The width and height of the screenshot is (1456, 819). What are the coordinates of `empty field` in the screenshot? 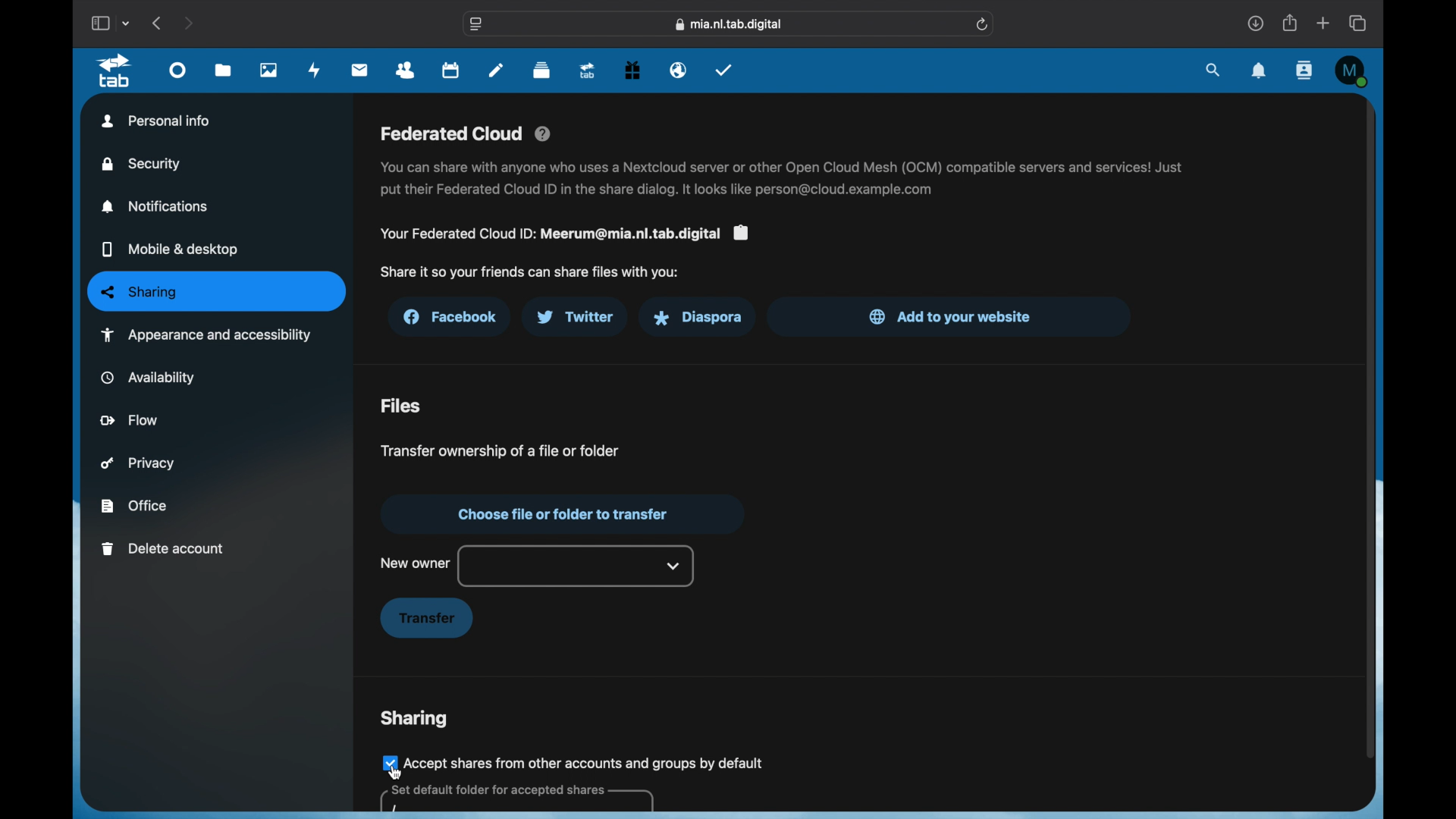 It's located at (516, 799).